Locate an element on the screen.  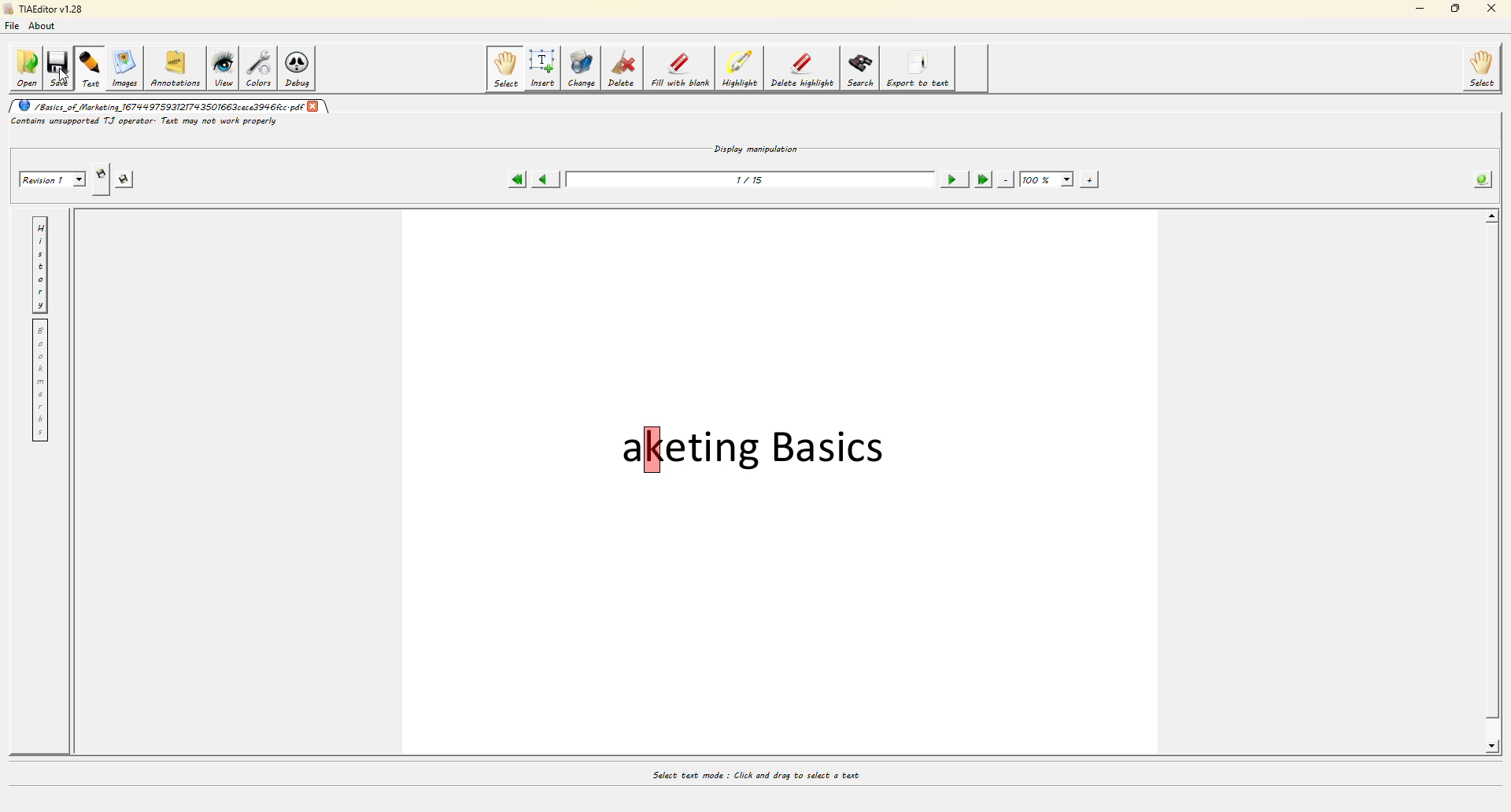
change is located at coordinates (583, 68).